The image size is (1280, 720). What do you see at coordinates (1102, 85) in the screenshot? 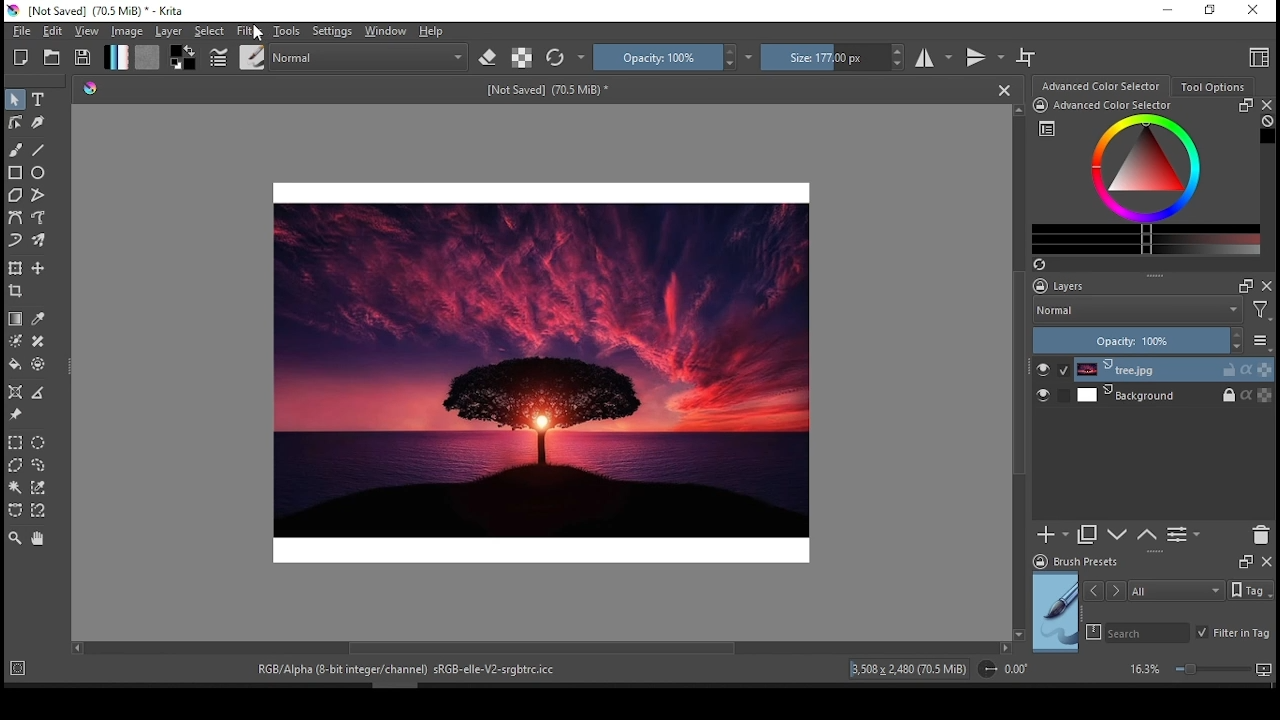
I see `color selection wheel` at bounding box center [1102, 85].